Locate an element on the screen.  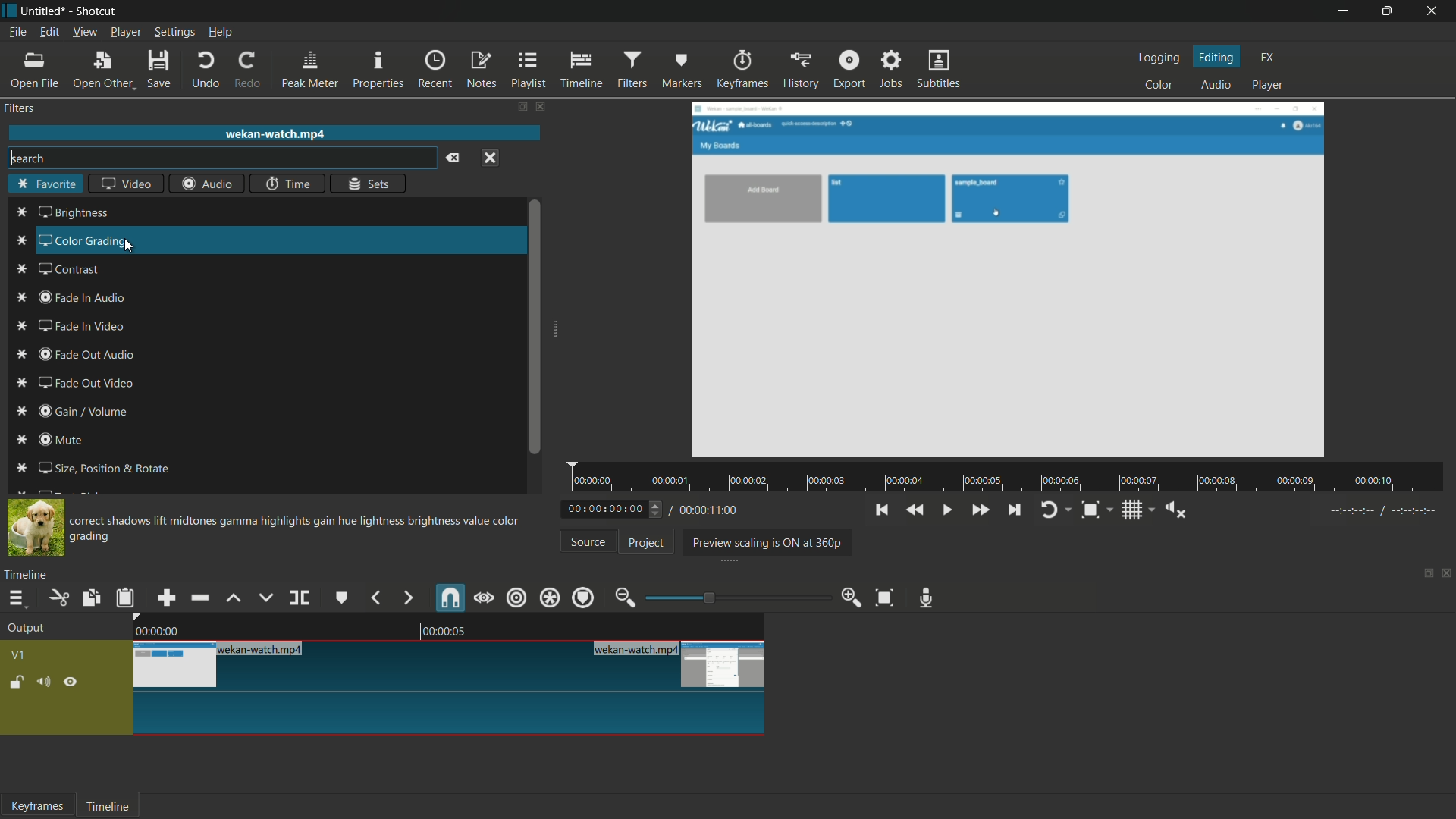
search bar is located at coordinates (221, 158).